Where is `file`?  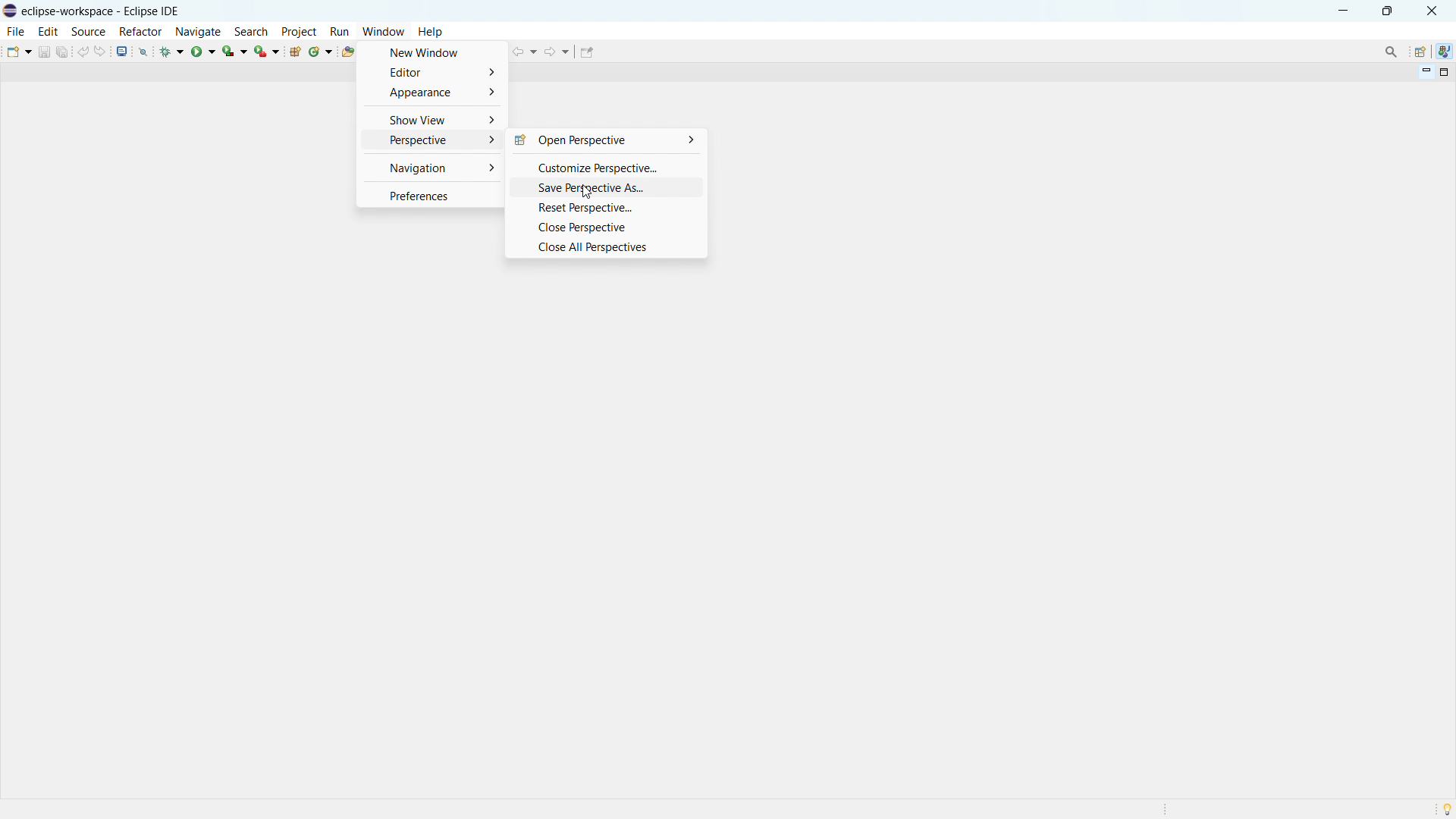
file is located at coordinates (17, 32).